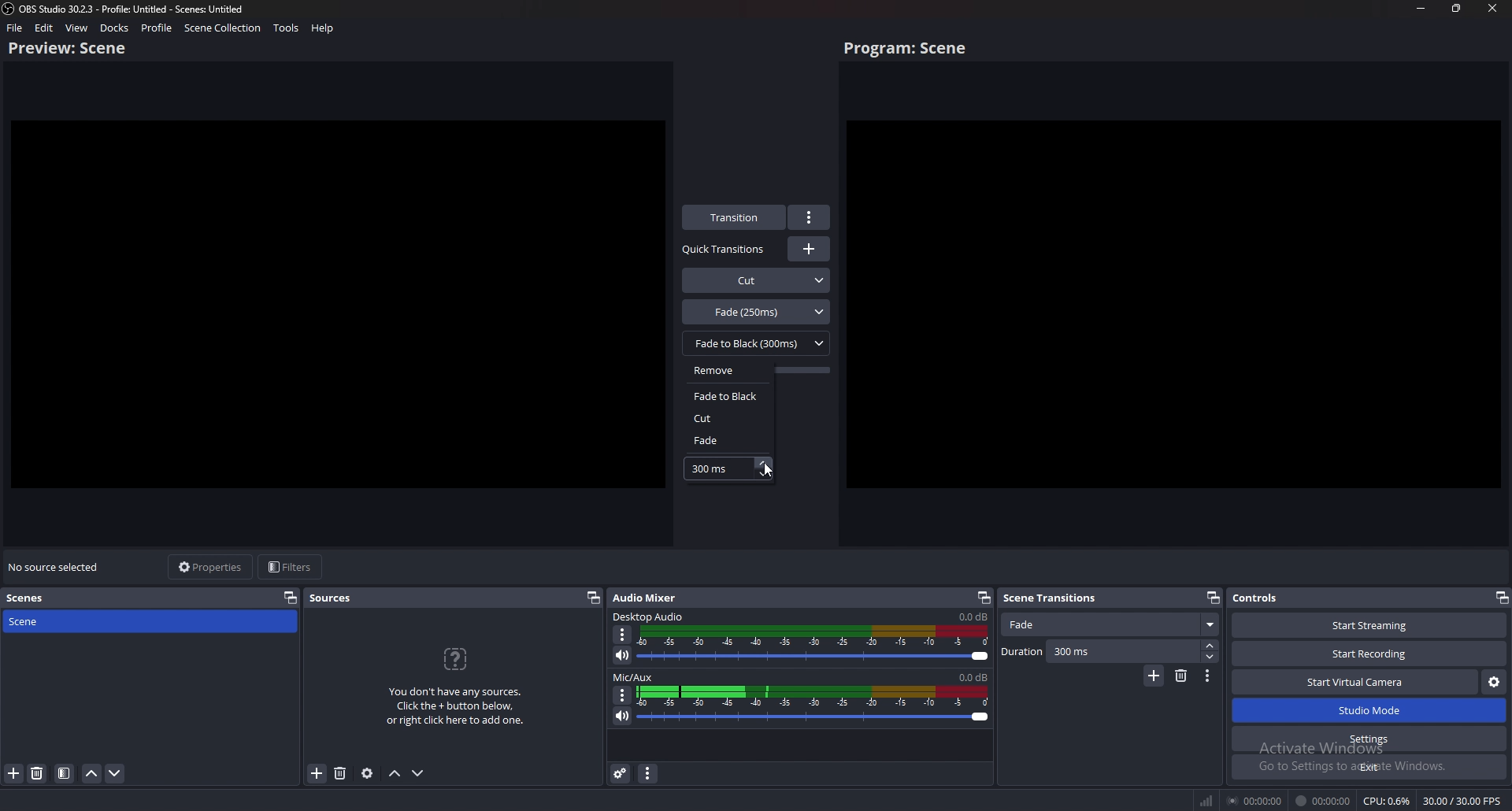  What do you see at coordinates (621, 774) in the screenshot?
I see `advanced audio properties` at bounding box center [621, 774].